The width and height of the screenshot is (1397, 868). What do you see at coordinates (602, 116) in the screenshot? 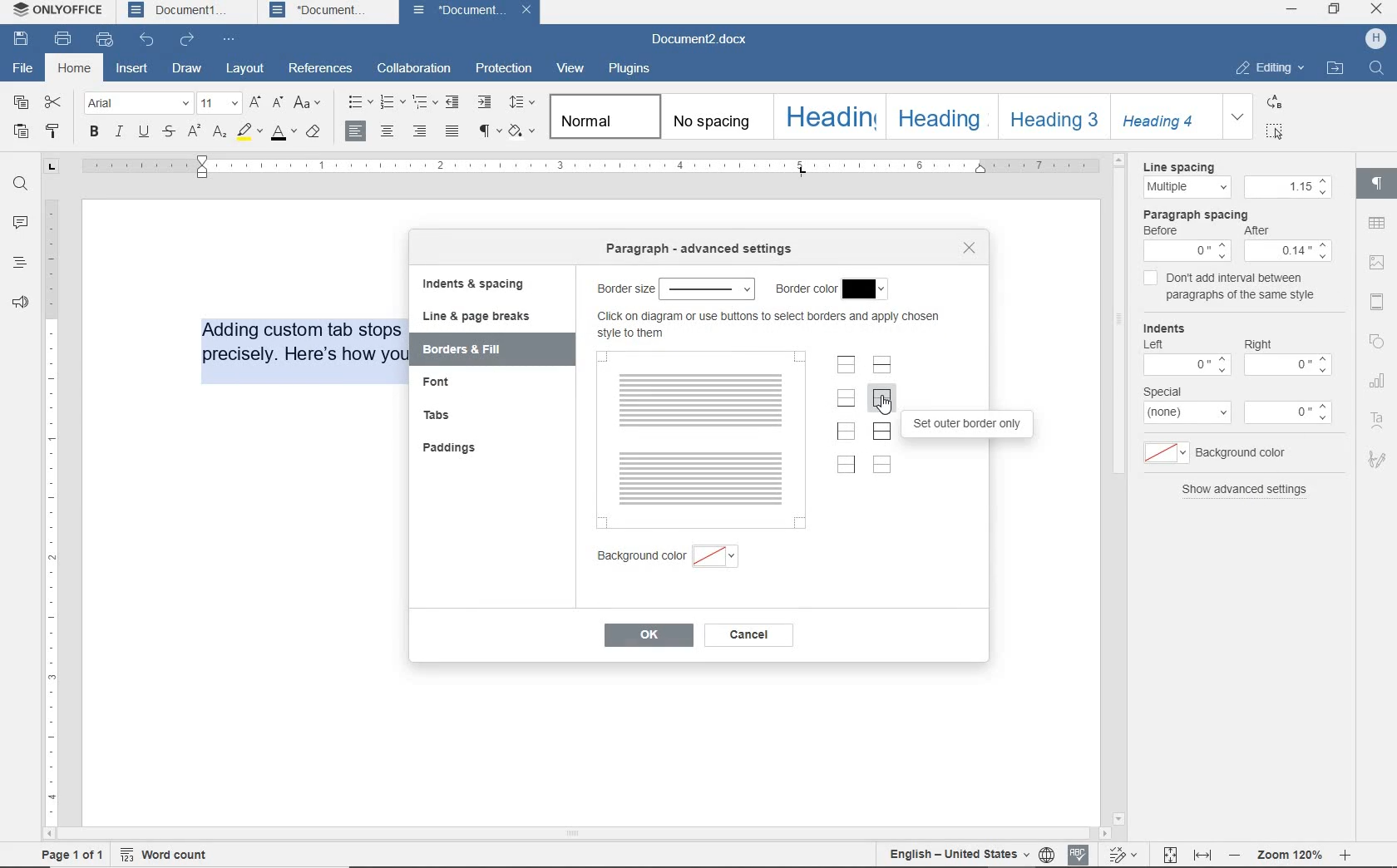
I see `normal` at bounding box center [602, 116].